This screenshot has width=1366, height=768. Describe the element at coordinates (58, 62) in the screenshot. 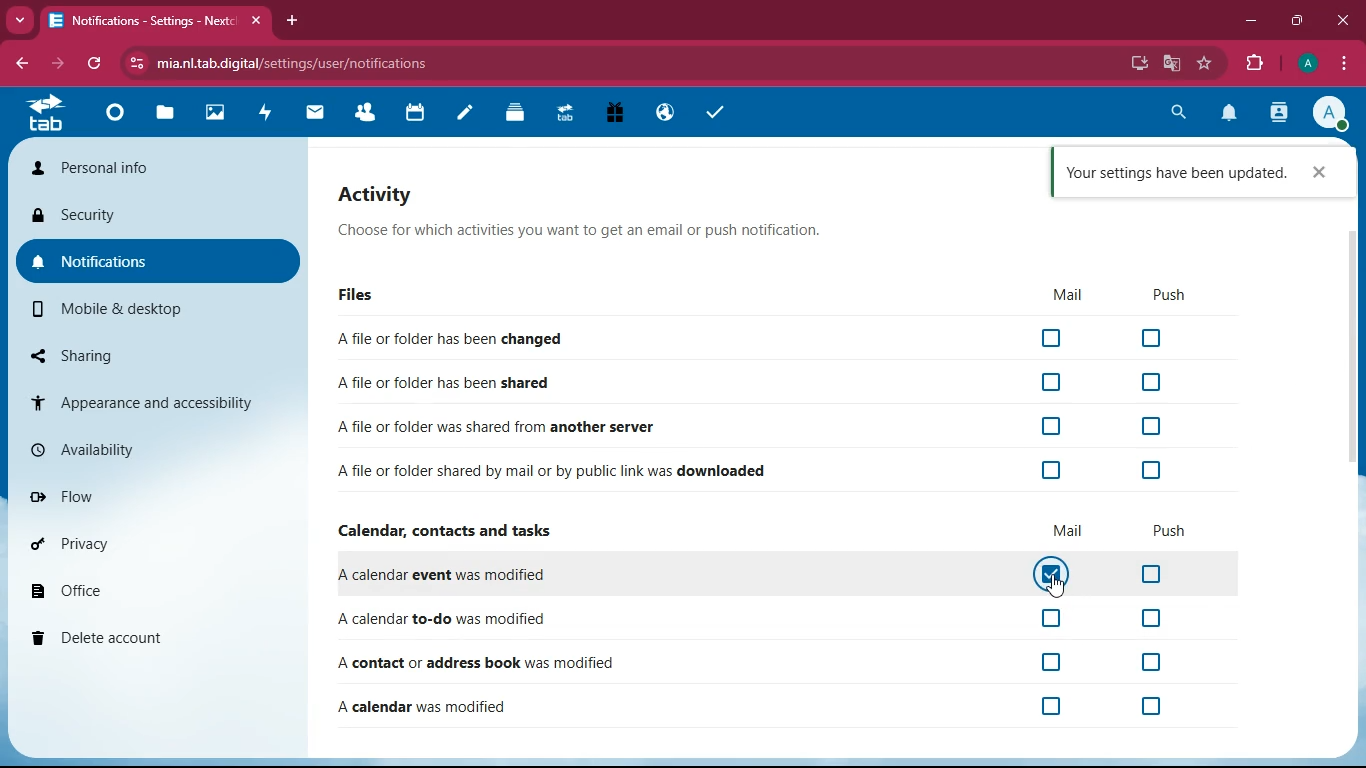

I see `forward` at that location.